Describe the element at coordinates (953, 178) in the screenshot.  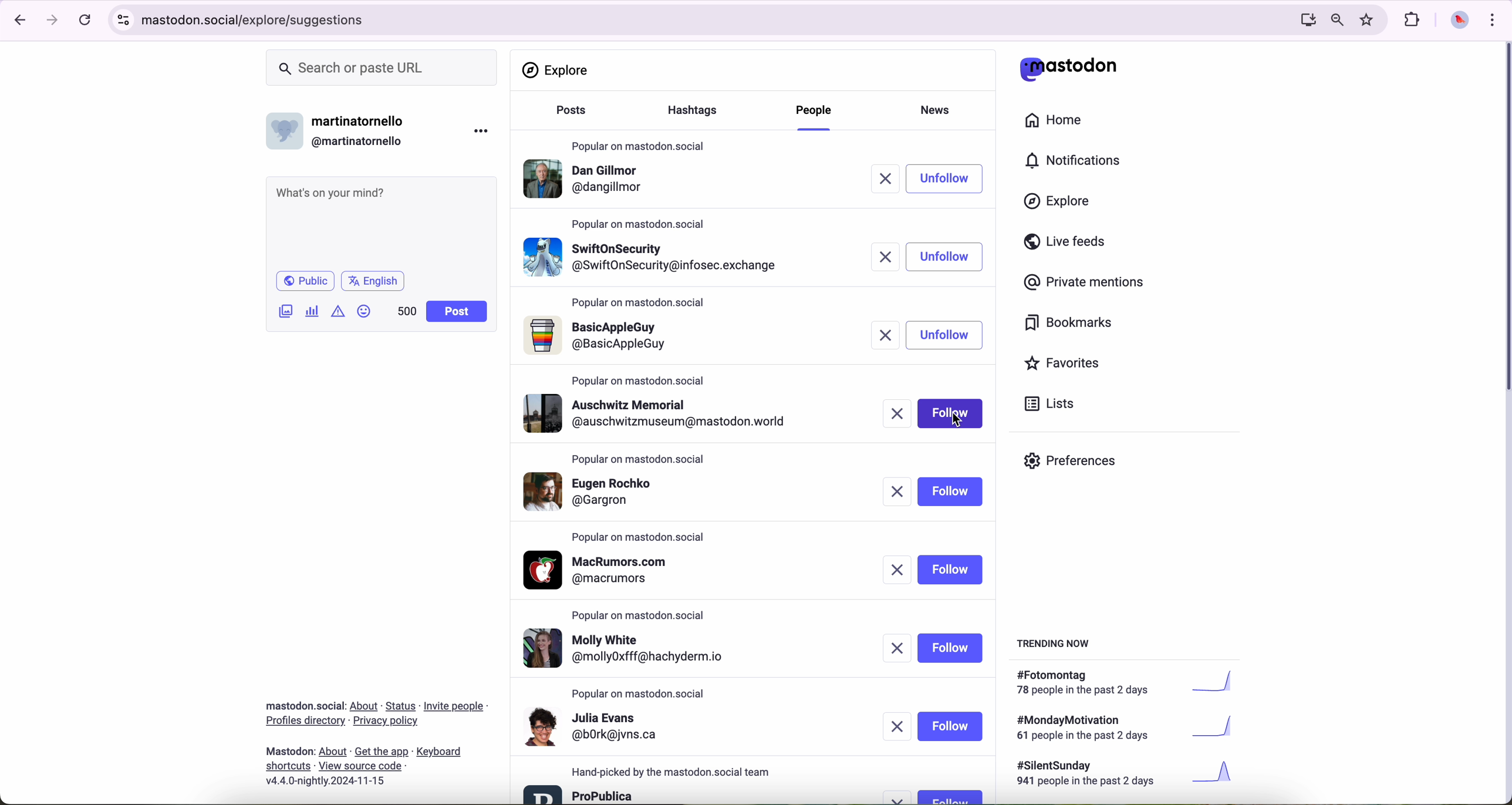
I see `click on follow button` at that location.